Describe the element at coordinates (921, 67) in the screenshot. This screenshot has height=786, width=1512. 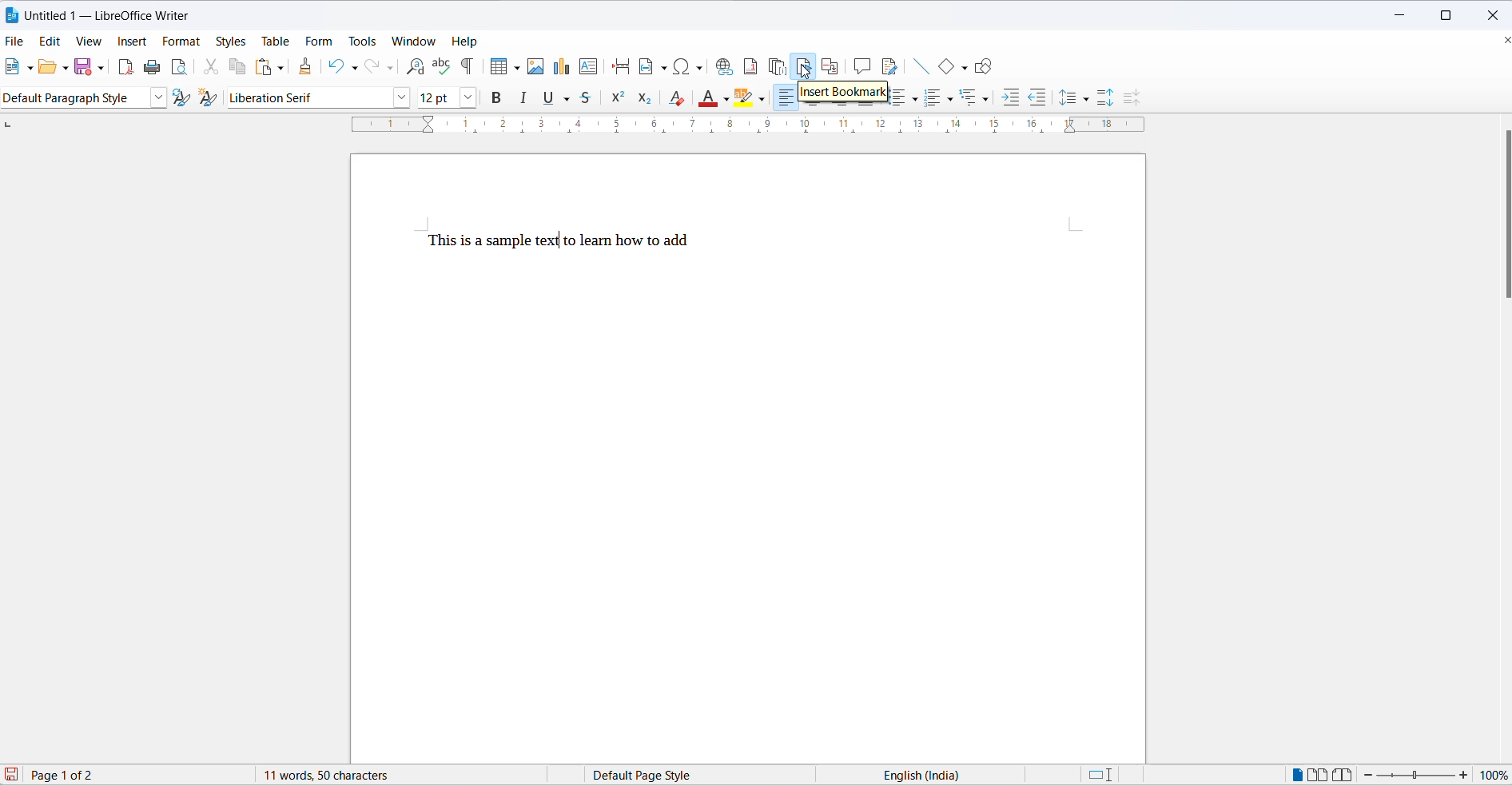
I see `insert line` at that location.